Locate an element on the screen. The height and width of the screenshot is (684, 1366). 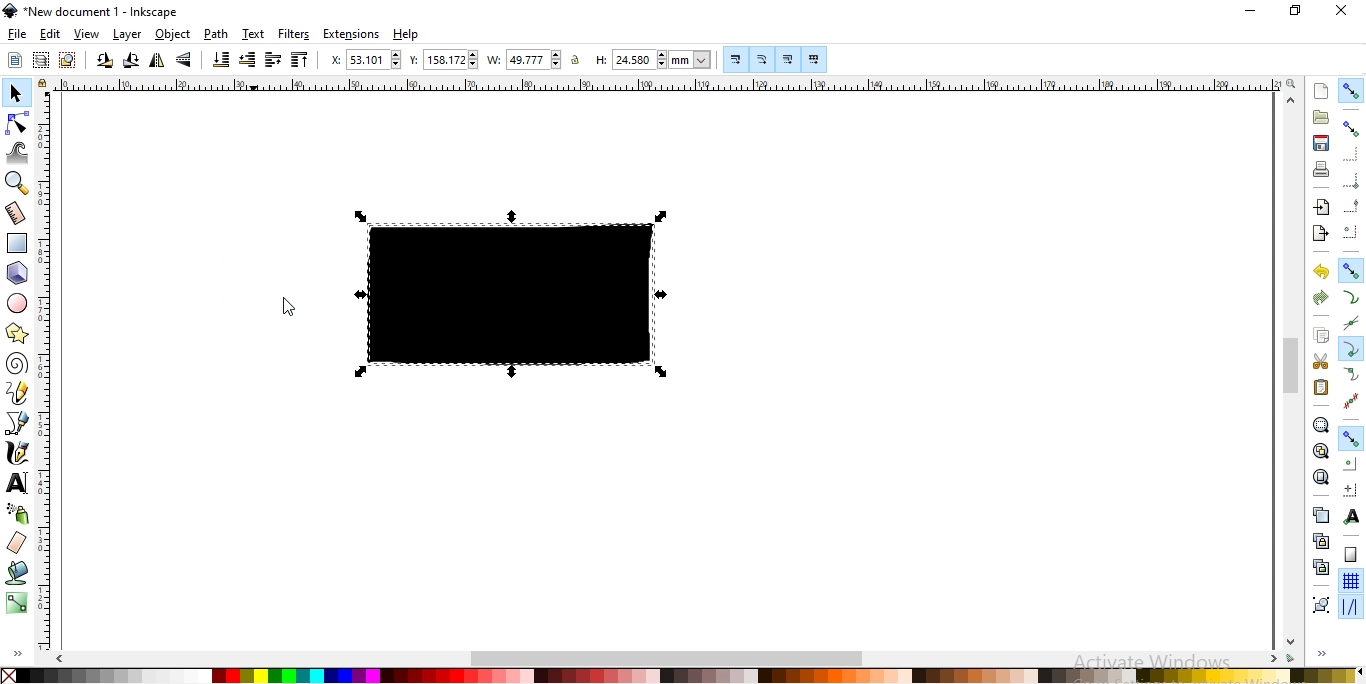
object is located at coordinates (172, 34).